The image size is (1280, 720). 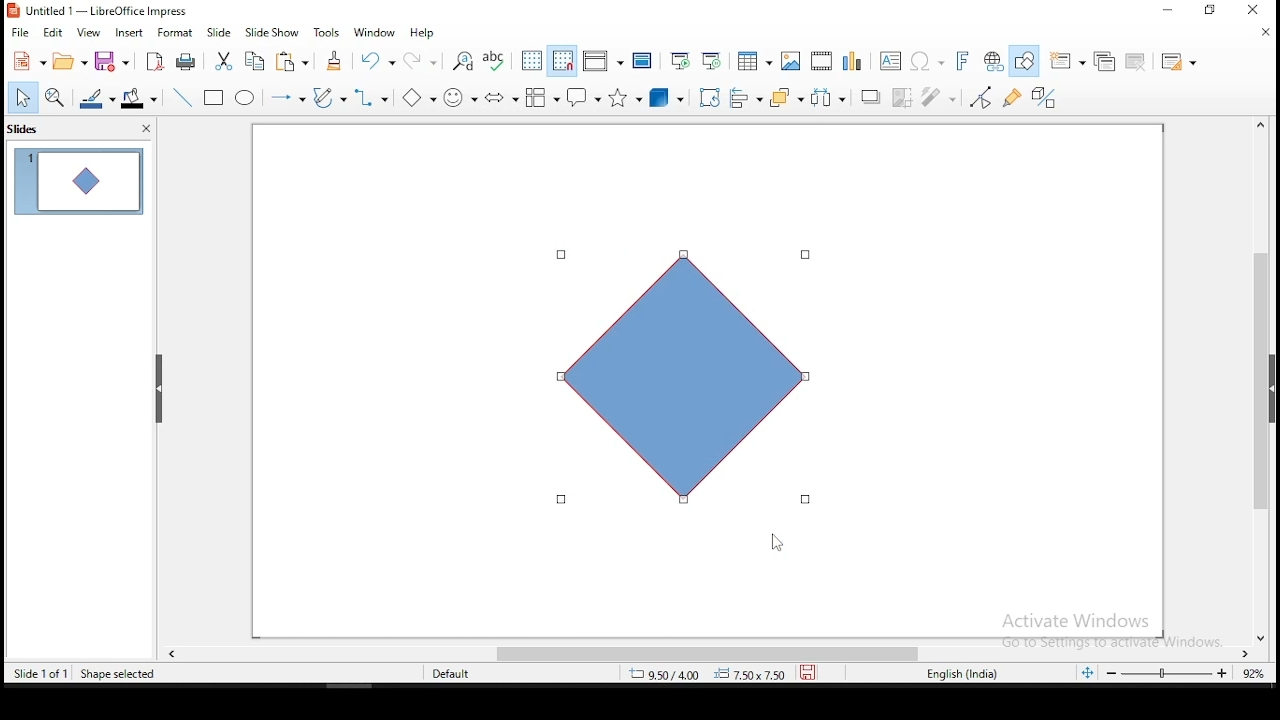 What do you see at coordinates (41, 670) in the screenshot?
I see `slide 1 of 1` at bounding box center [41, 670].